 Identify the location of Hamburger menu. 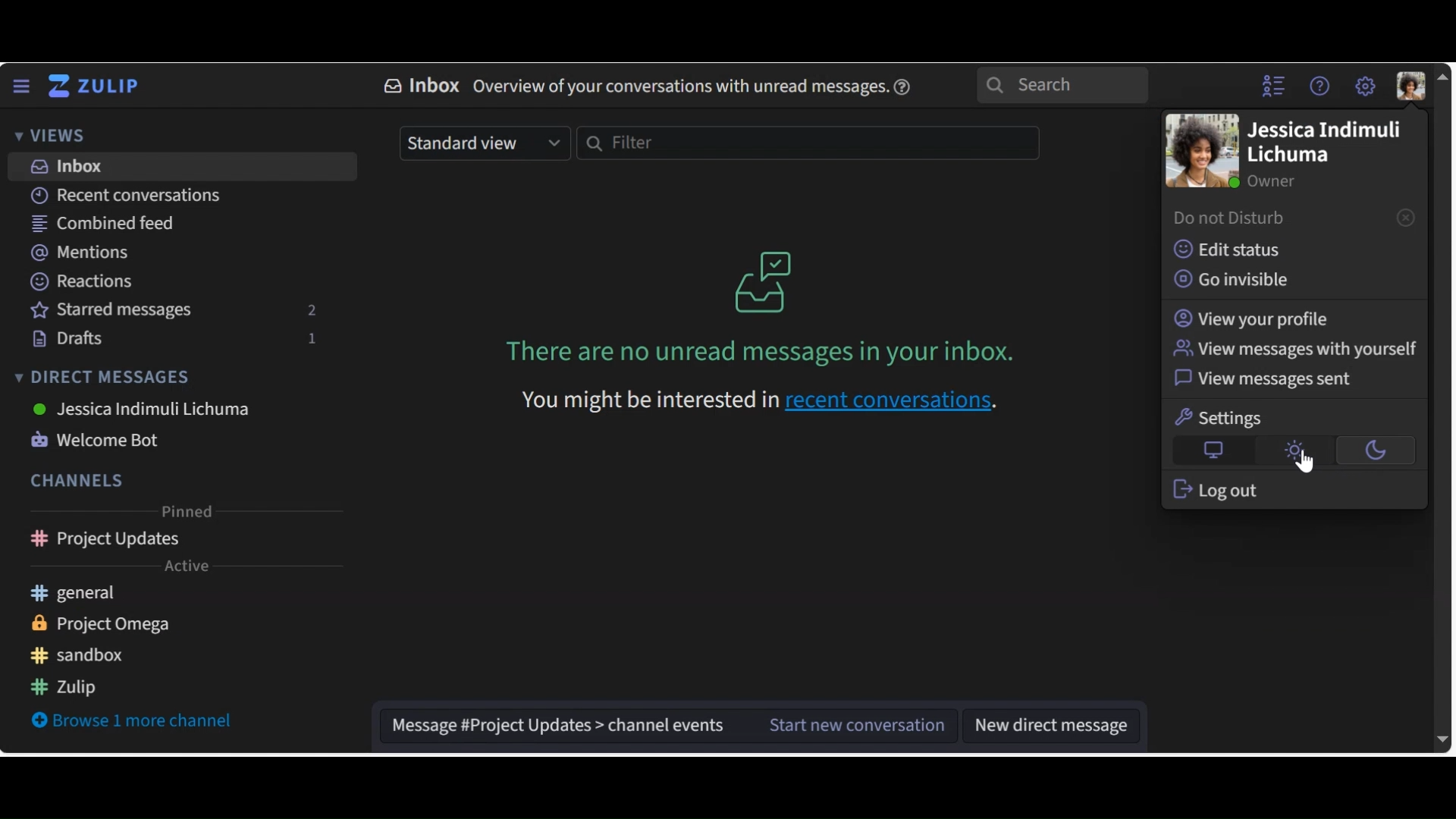
(20, 86).